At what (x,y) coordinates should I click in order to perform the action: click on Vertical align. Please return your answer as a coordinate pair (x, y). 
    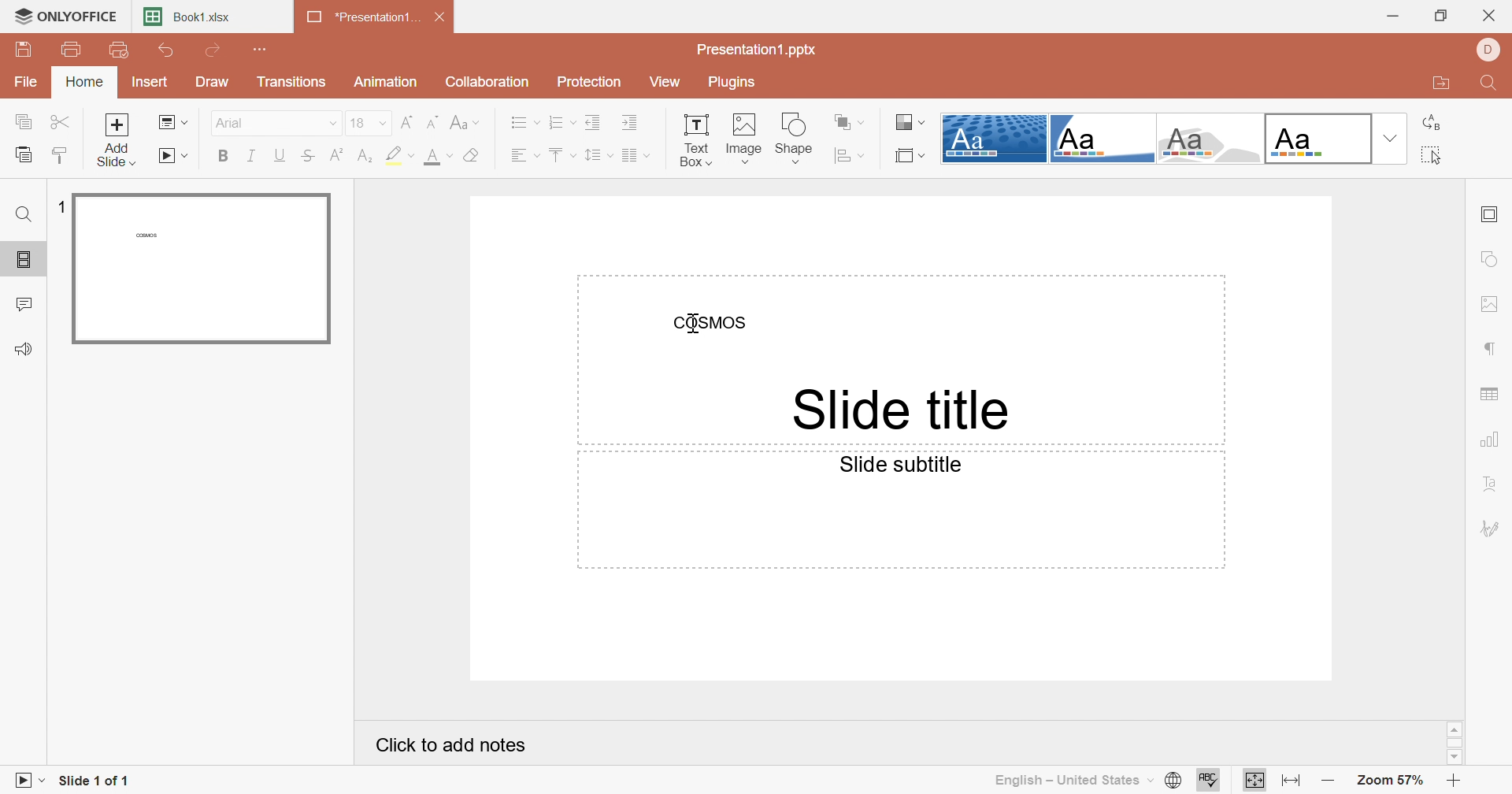
    Looking at the image, I should click on (560, 154).